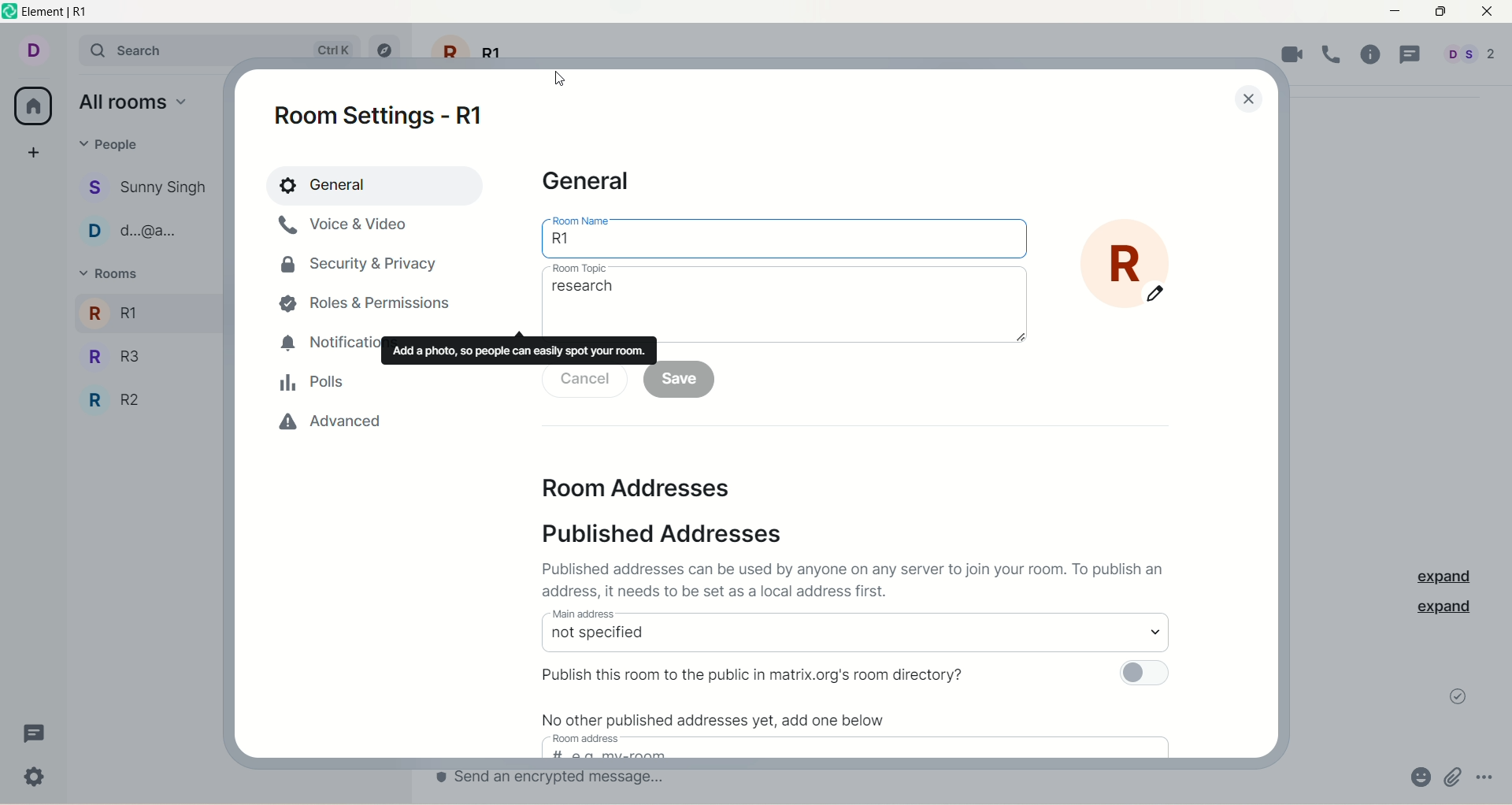 The image size is (1512, 805). Describe the element at coordinates (559, 77) in the screenshot. I see `cursor` at that location.